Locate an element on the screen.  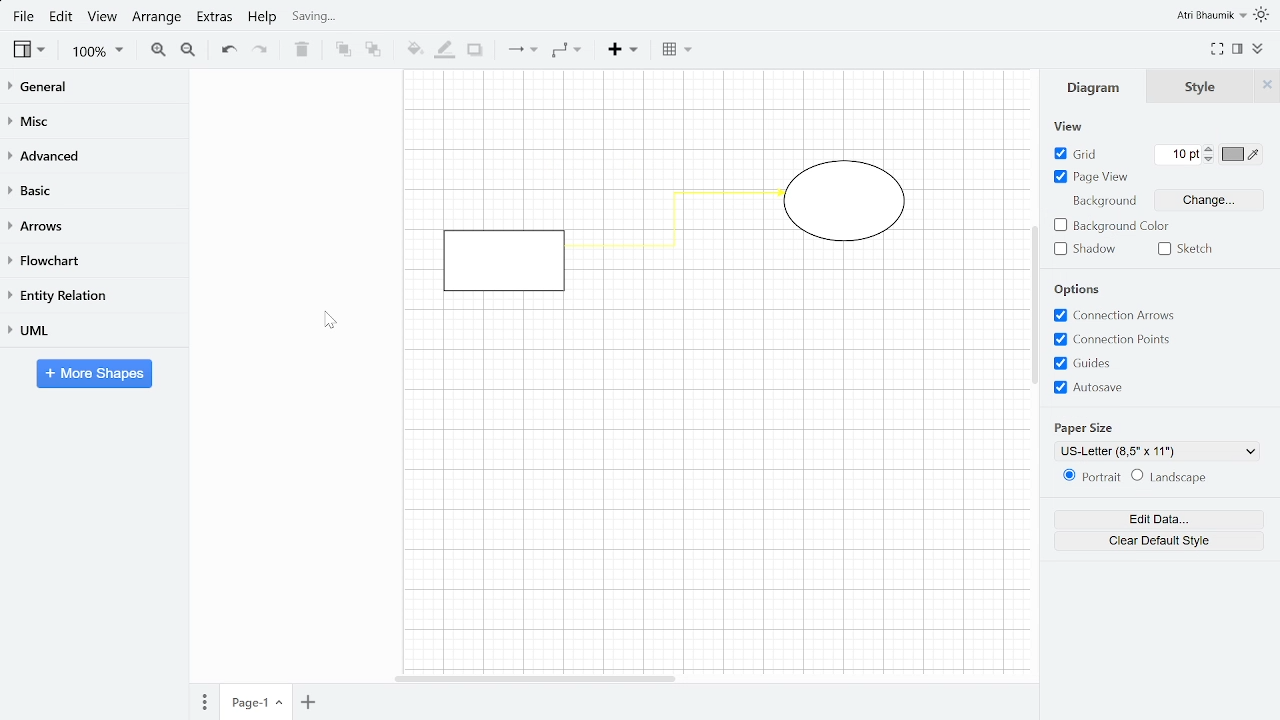
paper size is located at coordinates (1086, 427).